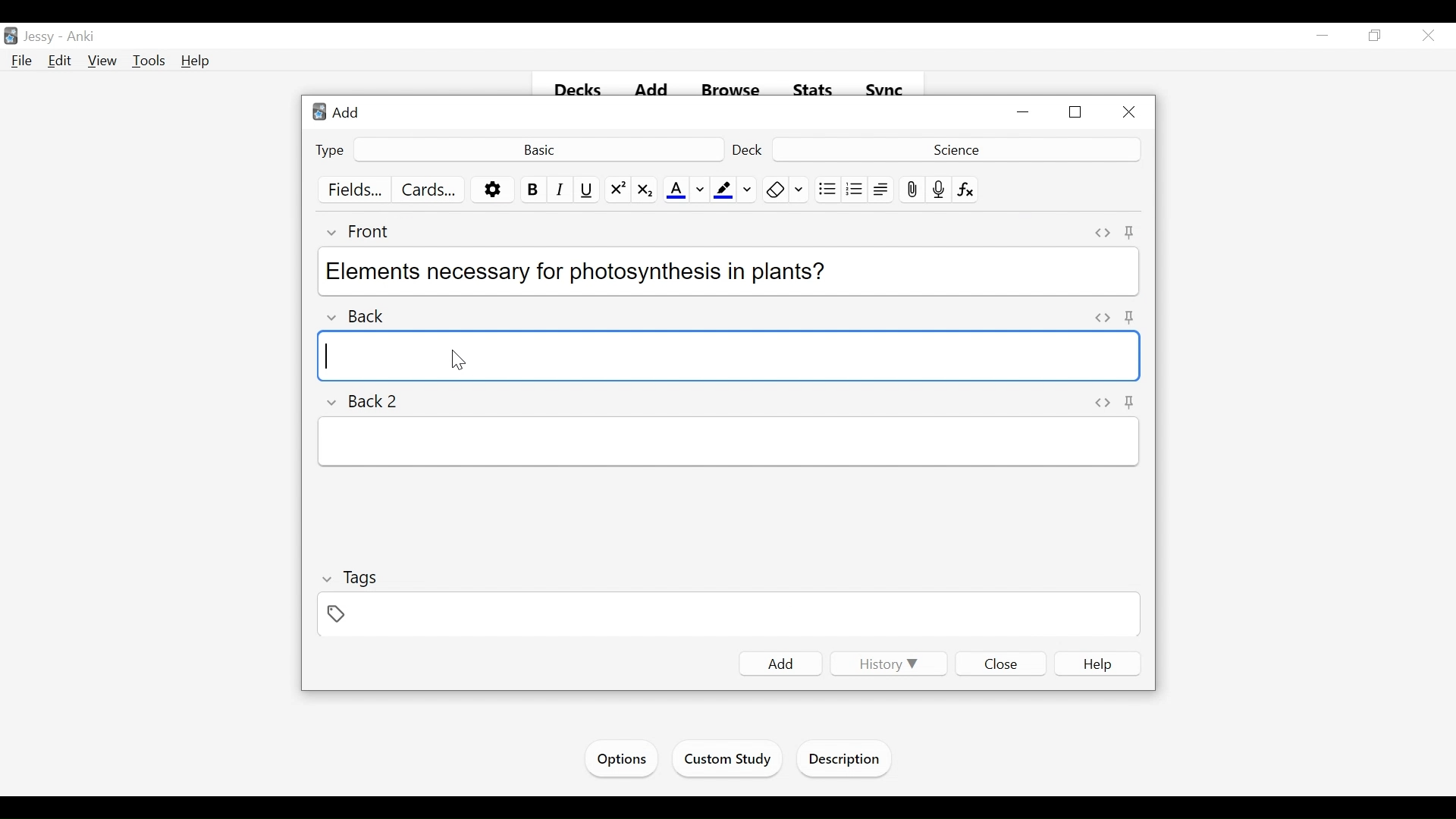 Image resolution: width=1456 pixels, height=819 pixels. Describe the element at coordinates (748, 190) in the screenshot. I see `Change Color` at that location.